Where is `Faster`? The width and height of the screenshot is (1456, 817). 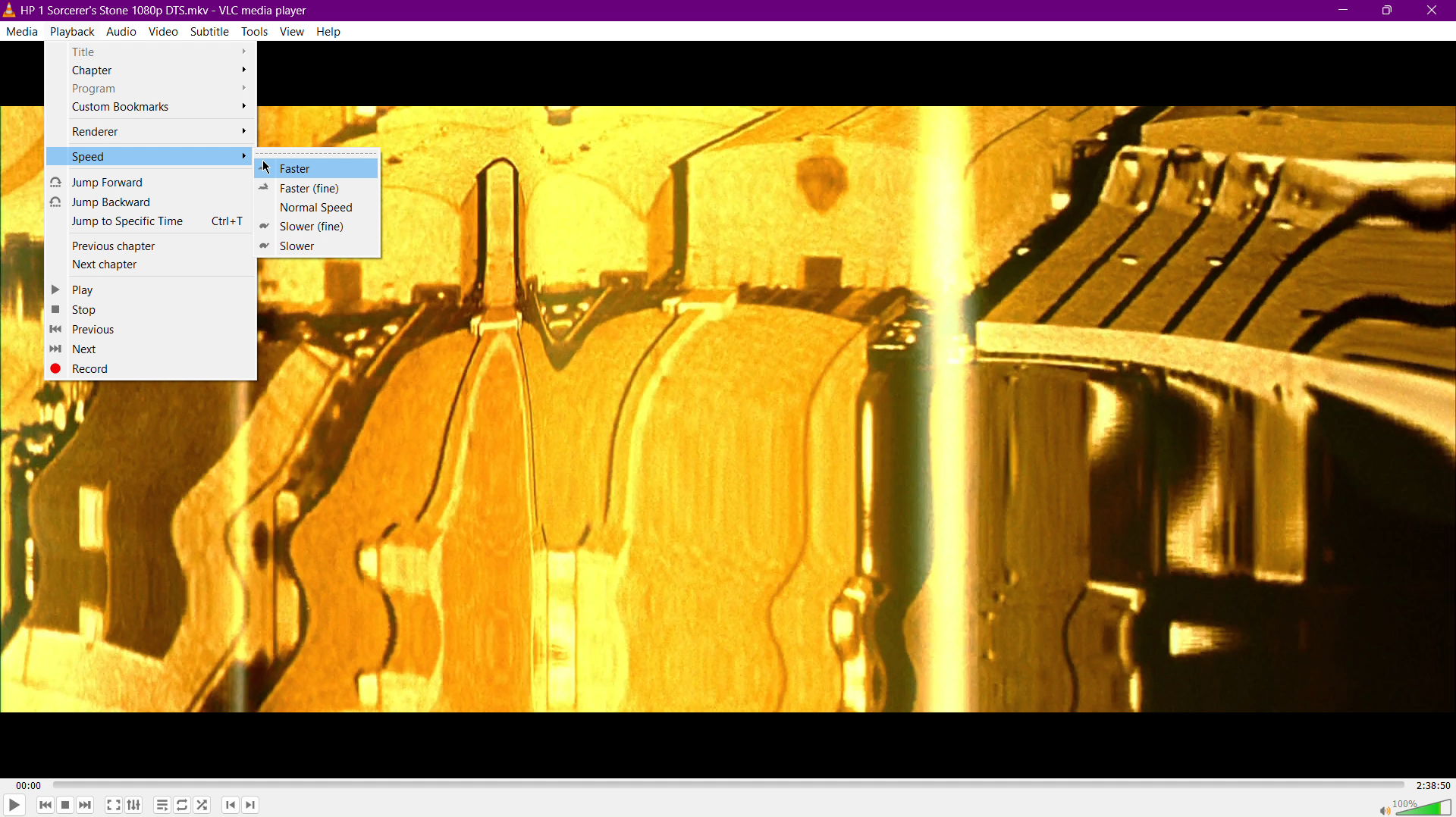 Faster is located at coordinates (311, 165).